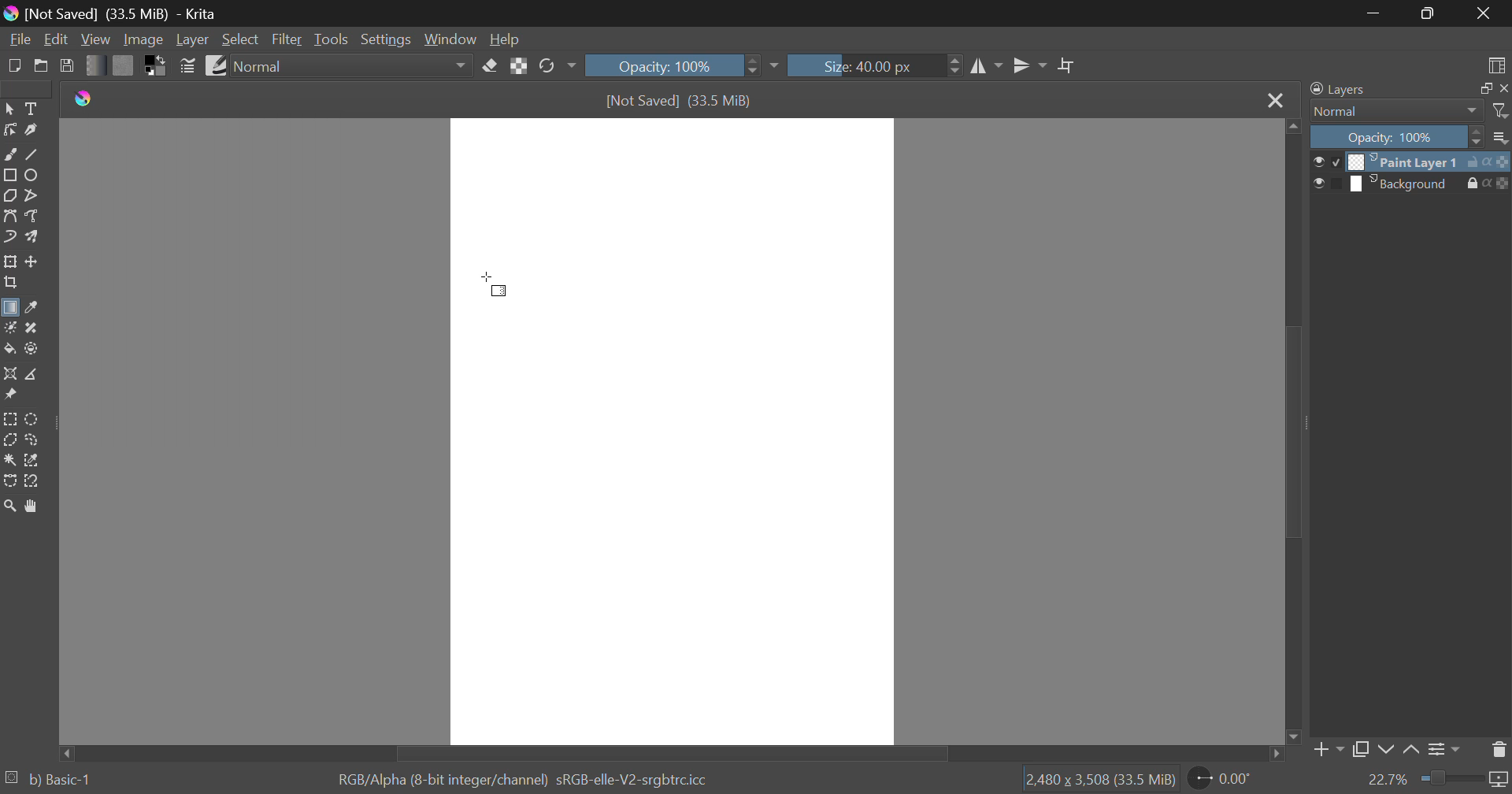 The height and width of the screenshot is (794, 1512). Describe the element at coordinates (1328, 183) in the screenshot. I see `preview` at that location.